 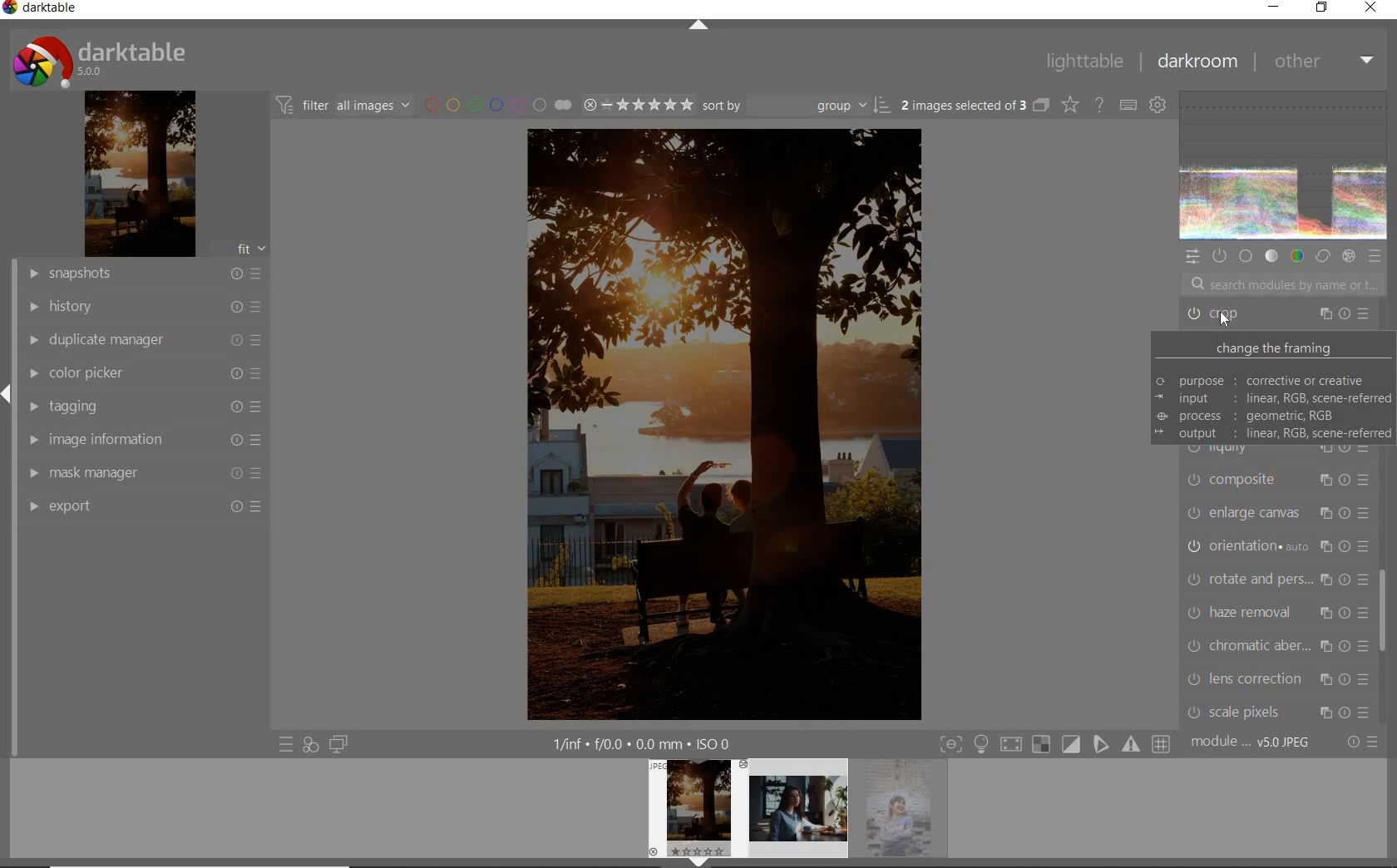 What do you see at coordinates (1069, 104) in the screenshot?
I see `change type of overlay` at bounding box center [1069, 104].